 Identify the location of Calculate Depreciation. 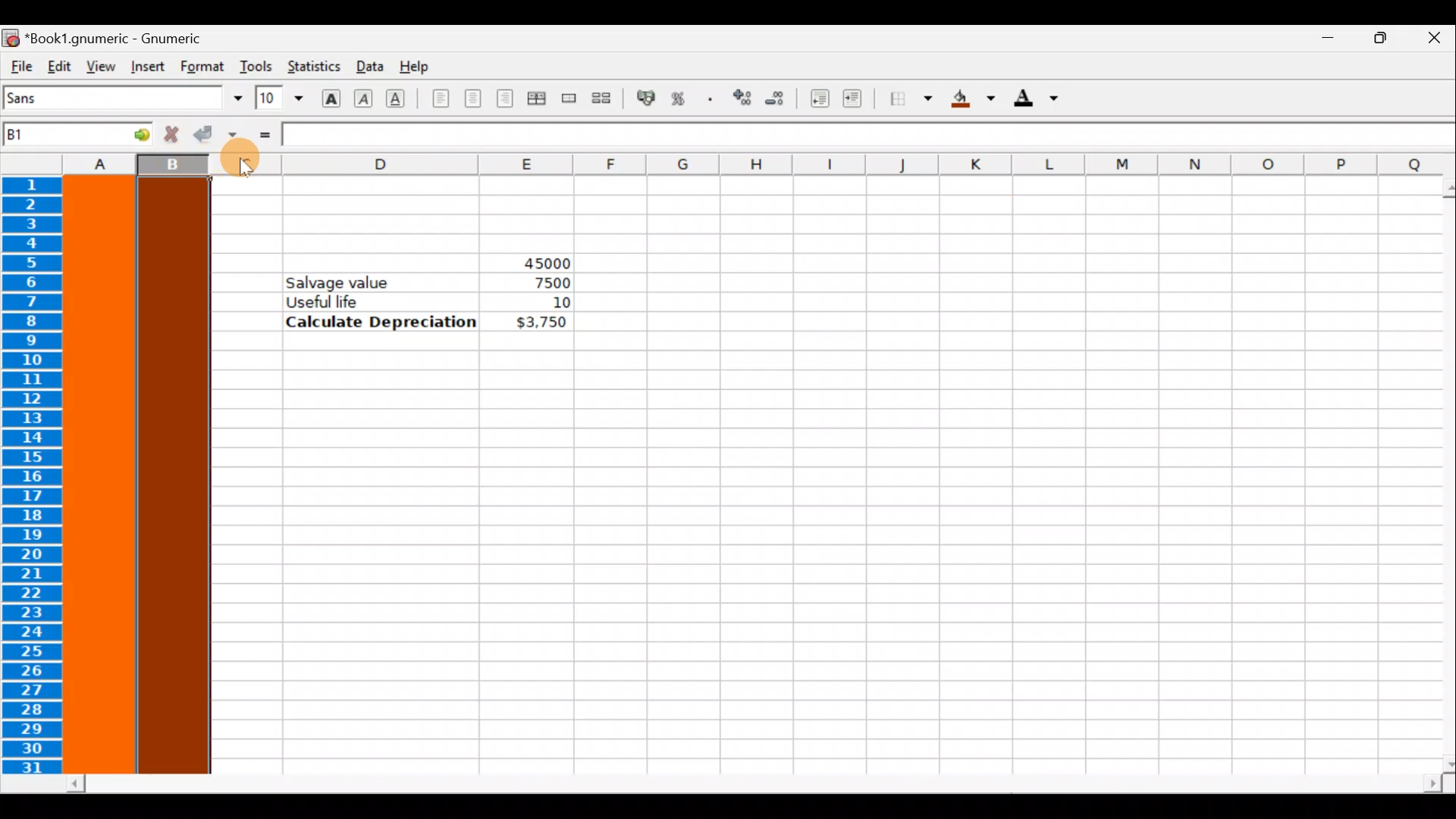
(381, 321).